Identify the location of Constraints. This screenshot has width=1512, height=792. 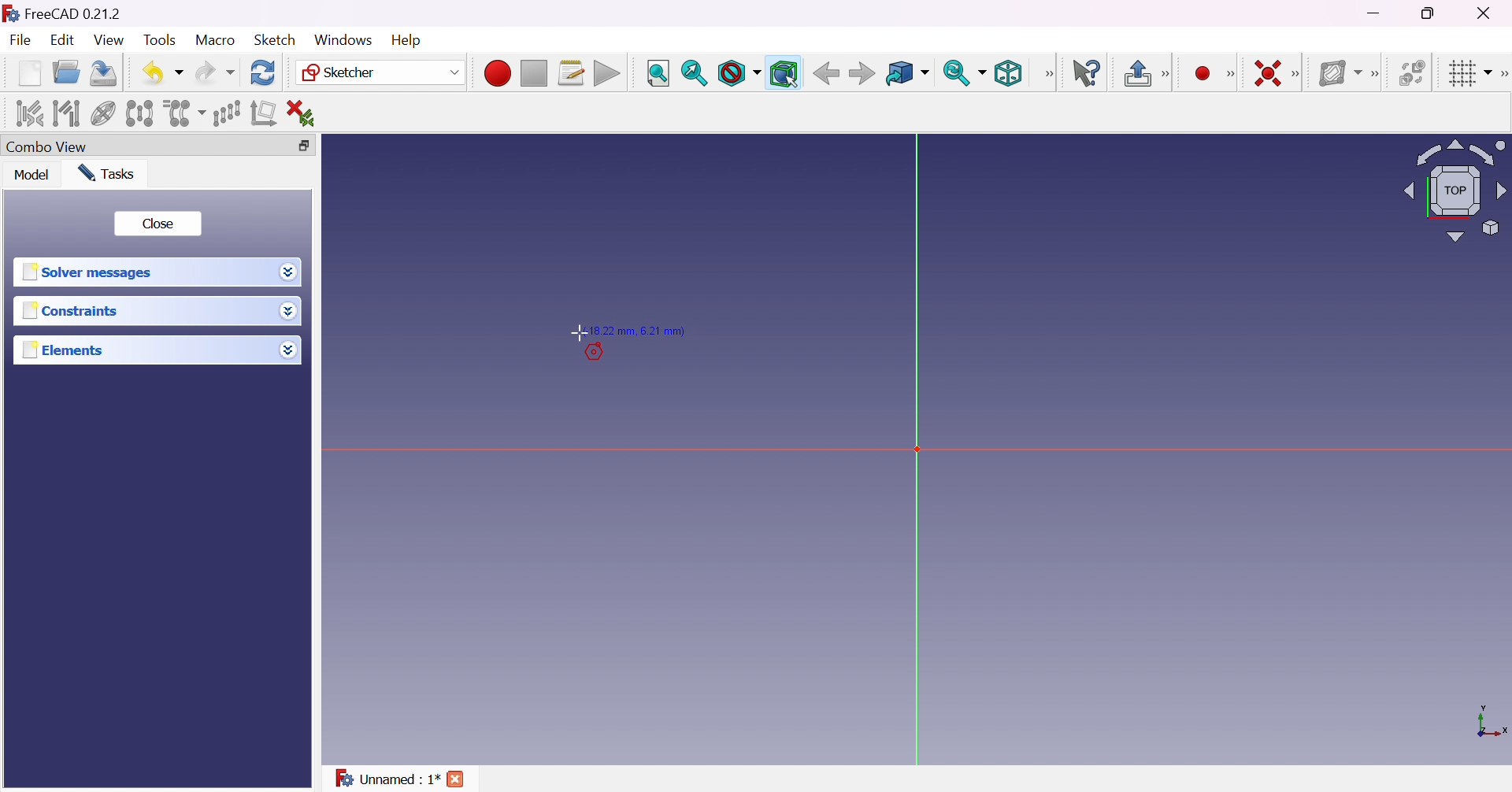
(75, 310).